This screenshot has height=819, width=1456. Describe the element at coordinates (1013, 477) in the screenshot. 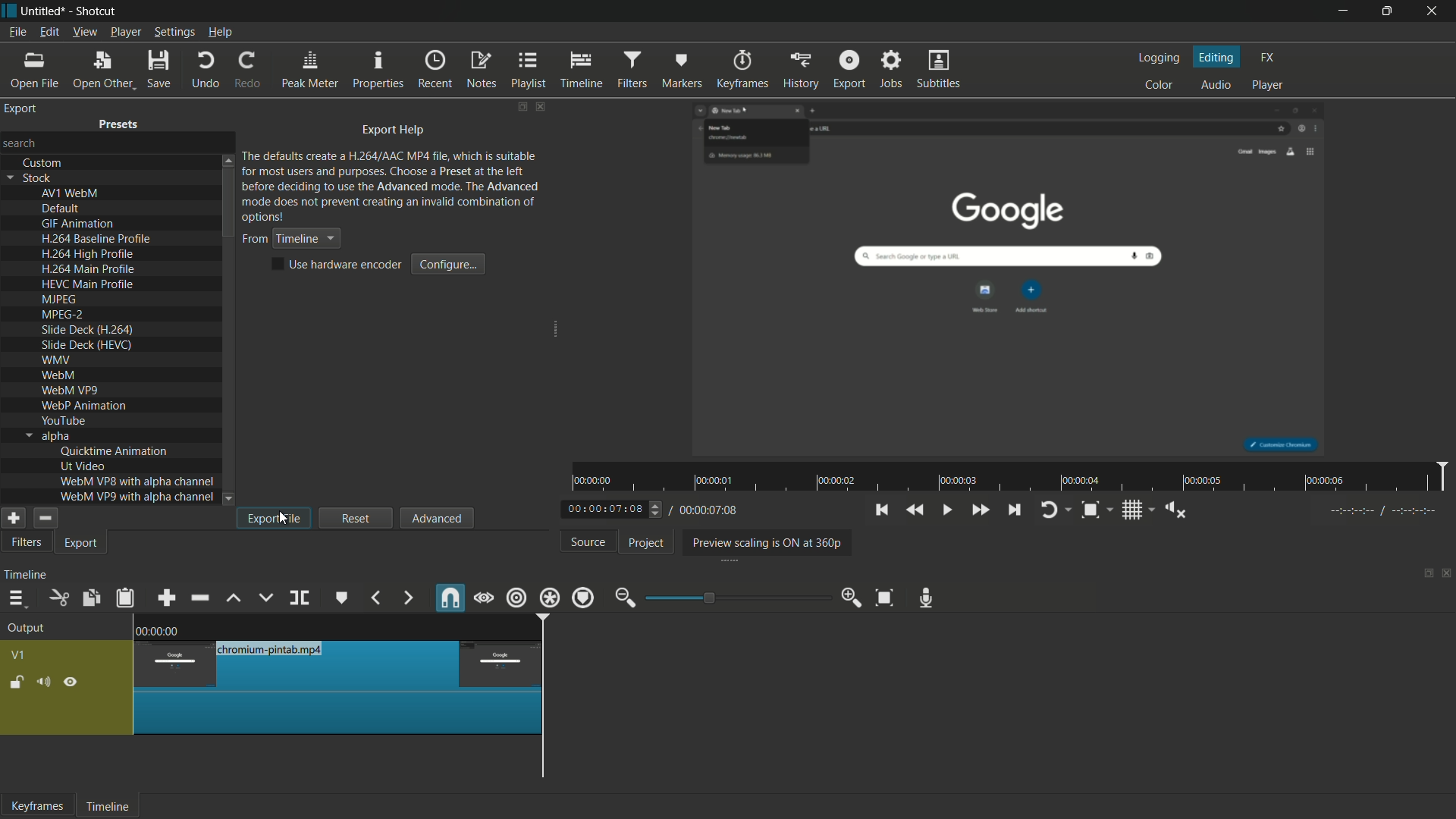

I see `time` at that location.